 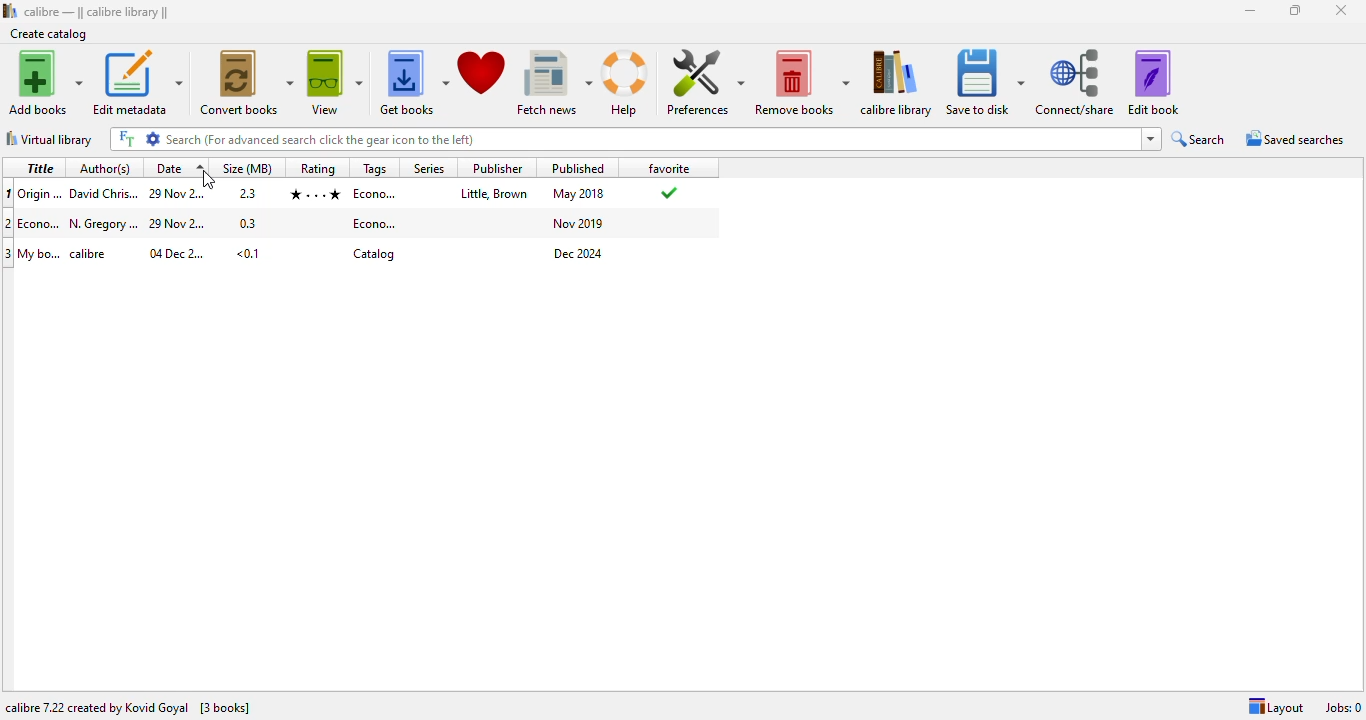 What do you see at coordinates (431, 169) in the screenshot?
I see `series` at bounding box center [431, 169].